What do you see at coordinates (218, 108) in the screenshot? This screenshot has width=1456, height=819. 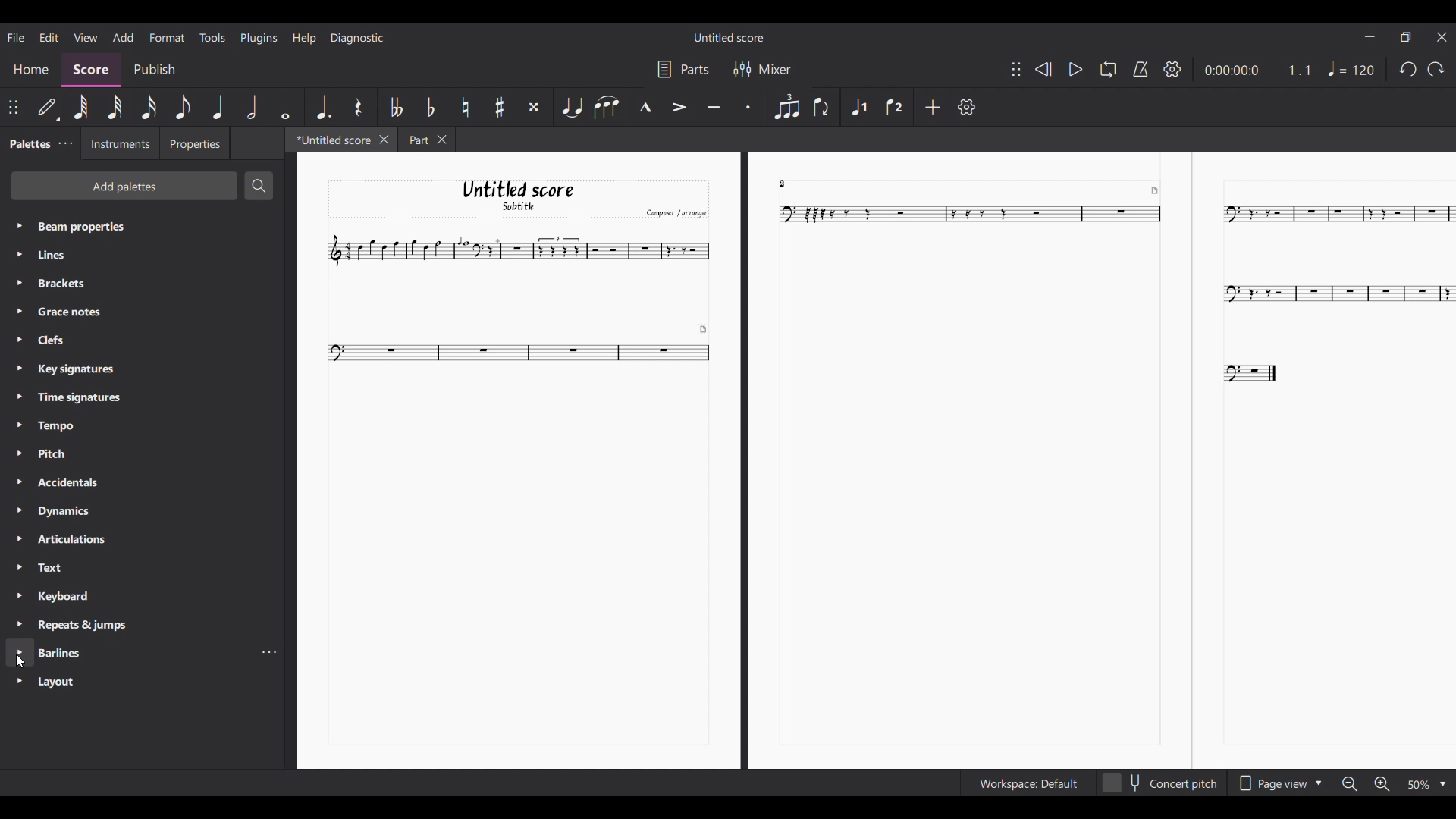 I see `Quarter note` at bounding box center [218, 108].